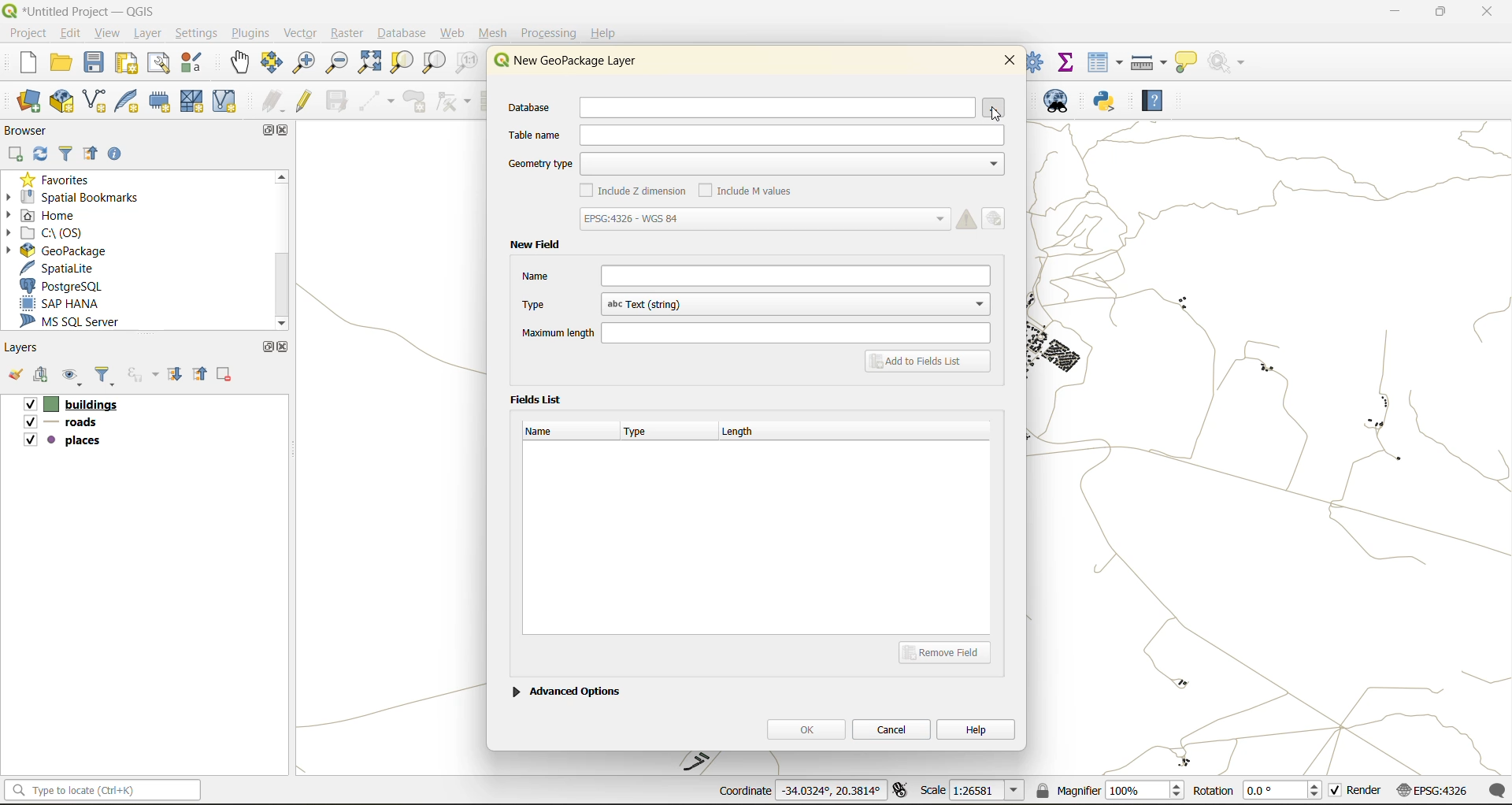 The image size is (1512, 805). What do you see at coordinates (69, 406) in the screenshot?
I see `buildings` at bounding box center [69, 406].